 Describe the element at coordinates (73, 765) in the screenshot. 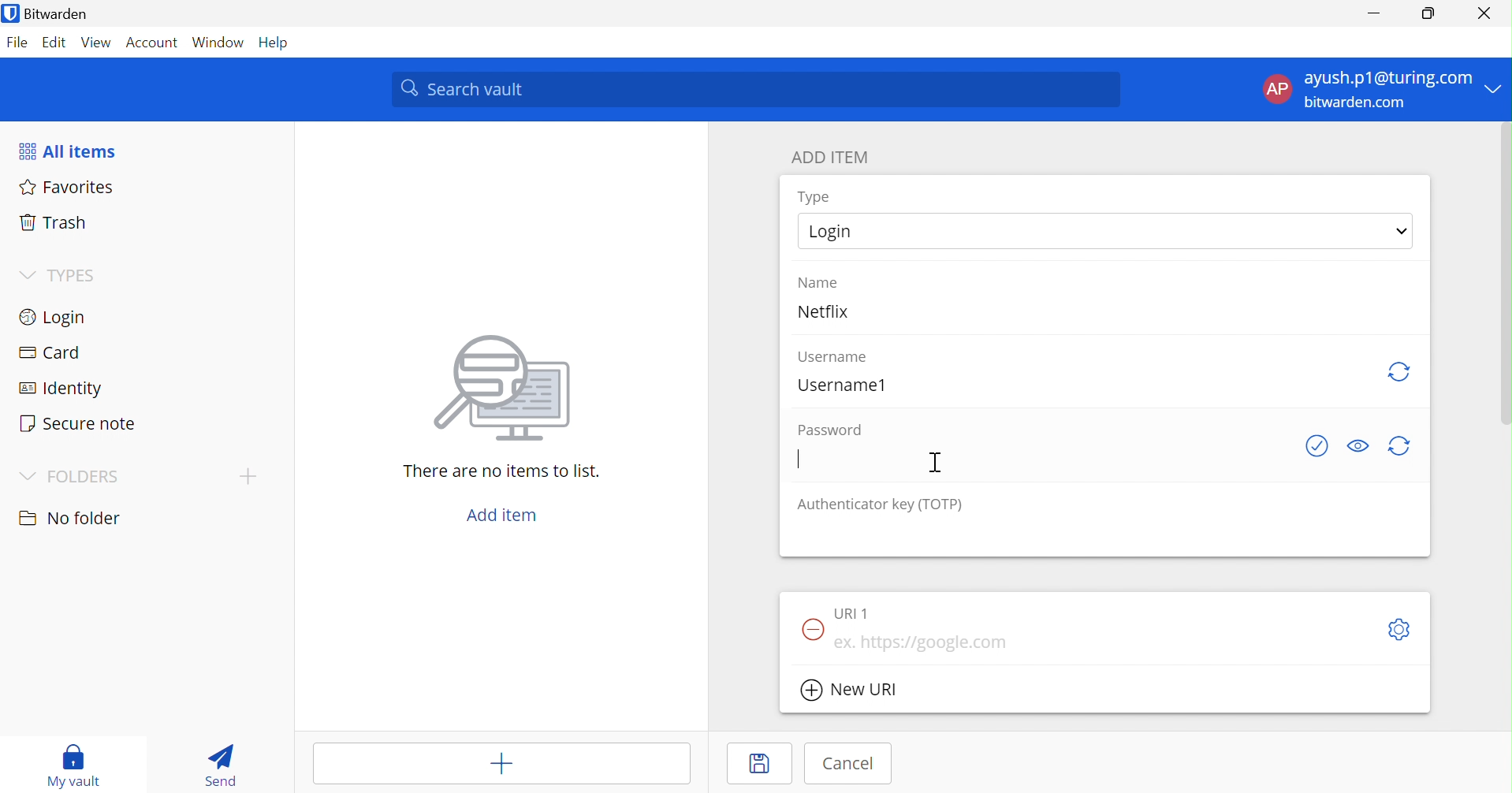

I see `My vault` at that location.